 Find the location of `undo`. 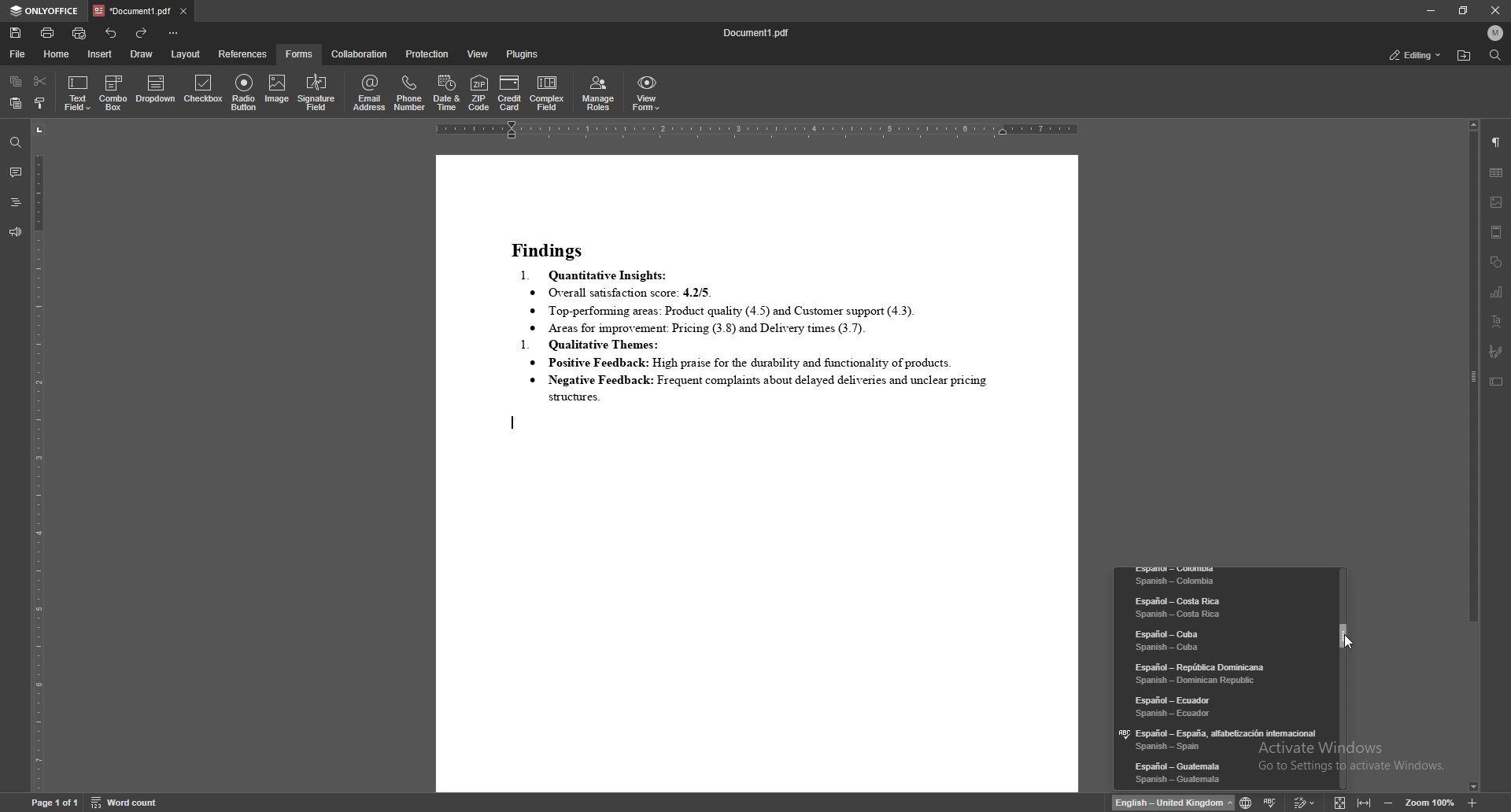

undo is located at coordinates (112, 33).